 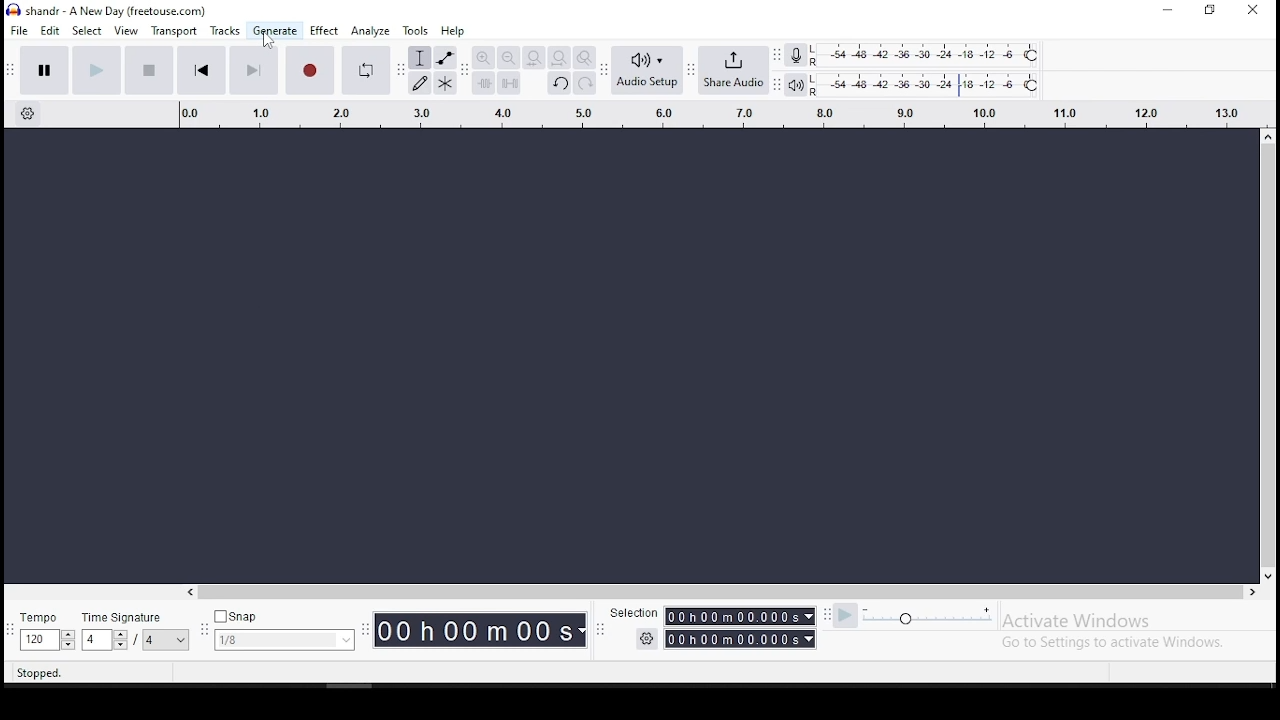 I want to click on generate, so click(x=275, y=31).